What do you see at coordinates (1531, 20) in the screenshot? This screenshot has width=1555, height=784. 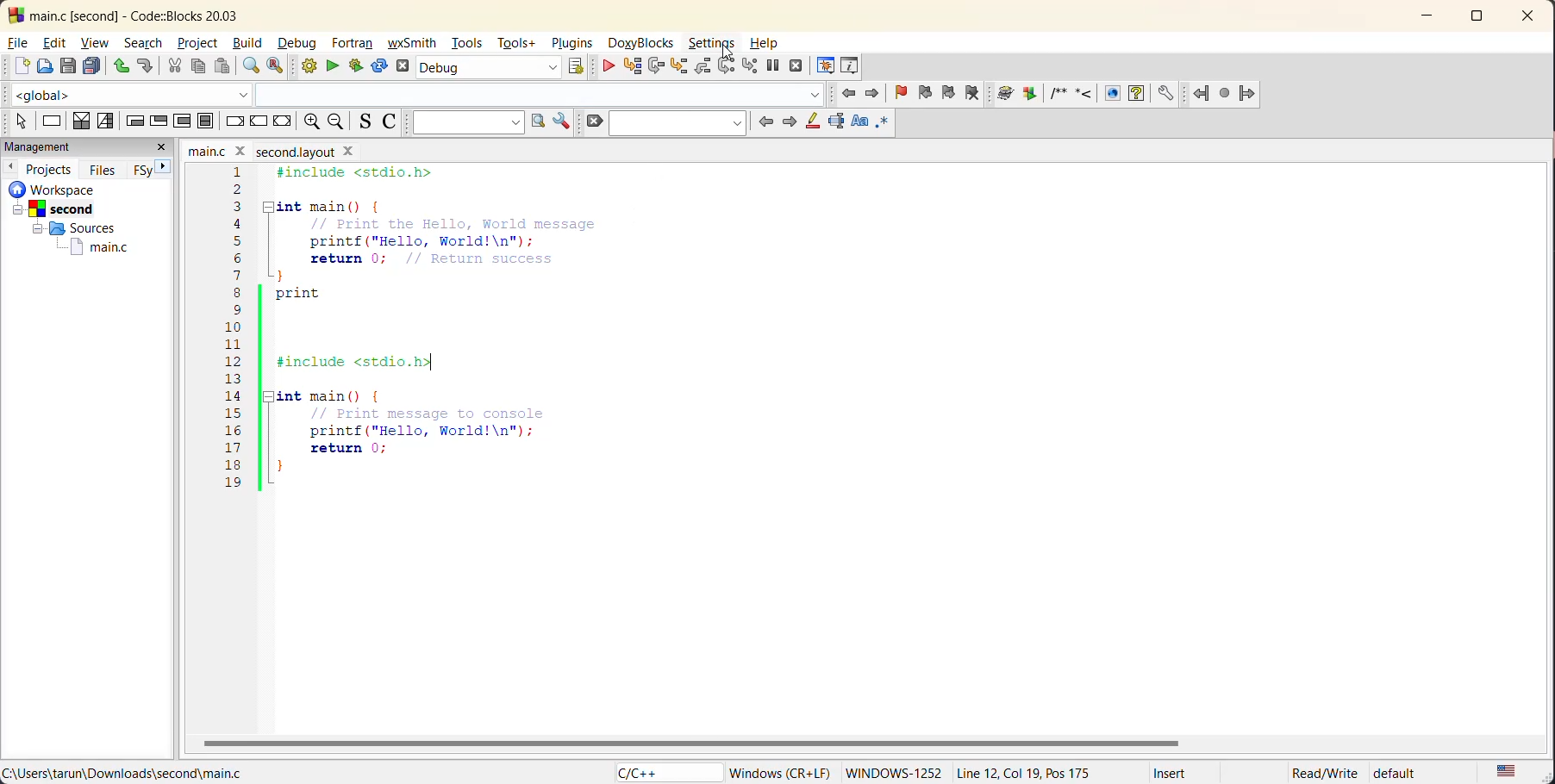 I see `close` at bounding box center [1531, 20].